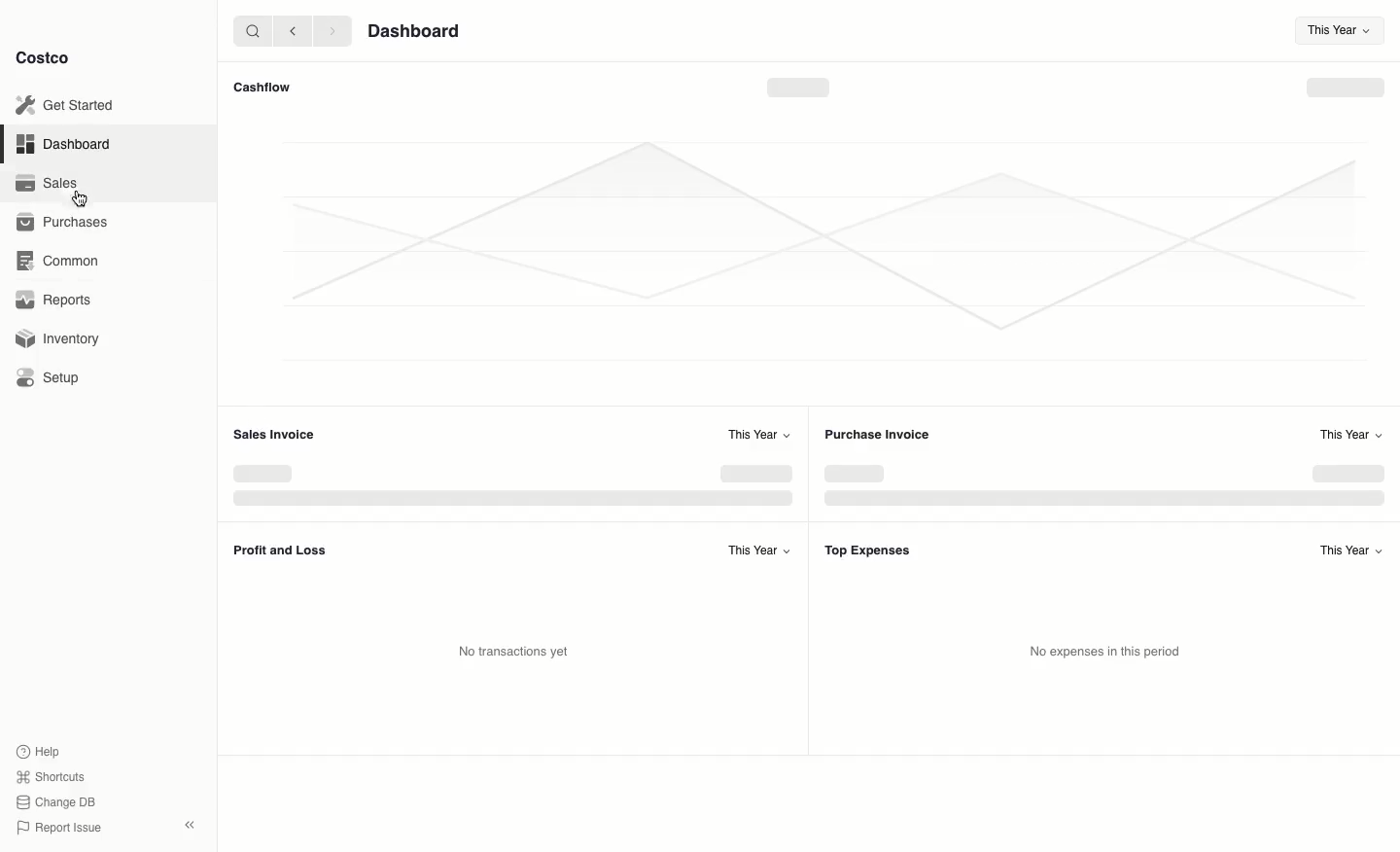  I want to click on Inventory, so click(56, 337).